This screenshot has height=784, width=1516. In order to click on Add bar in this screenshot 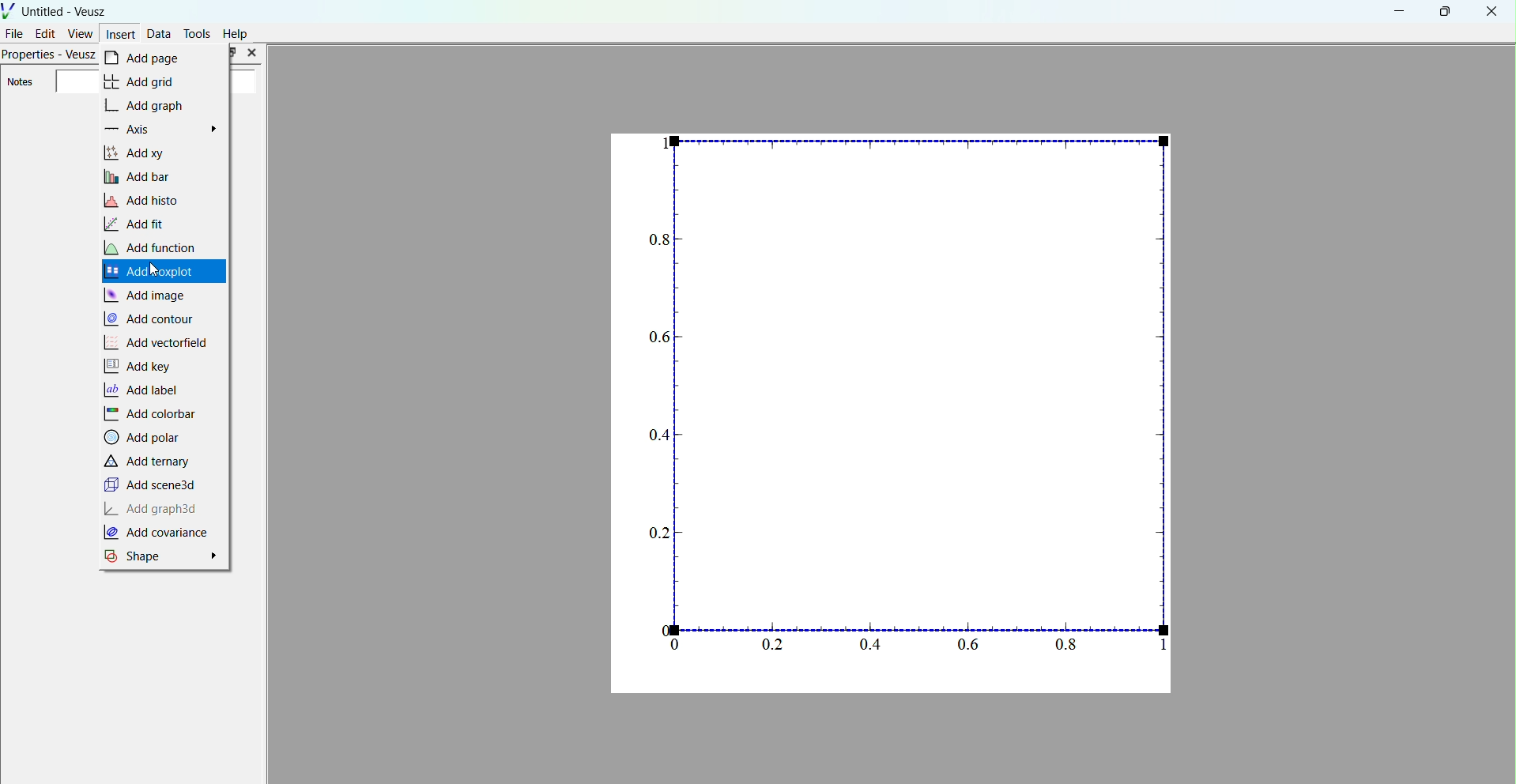, I will do `click(143, 175)`.